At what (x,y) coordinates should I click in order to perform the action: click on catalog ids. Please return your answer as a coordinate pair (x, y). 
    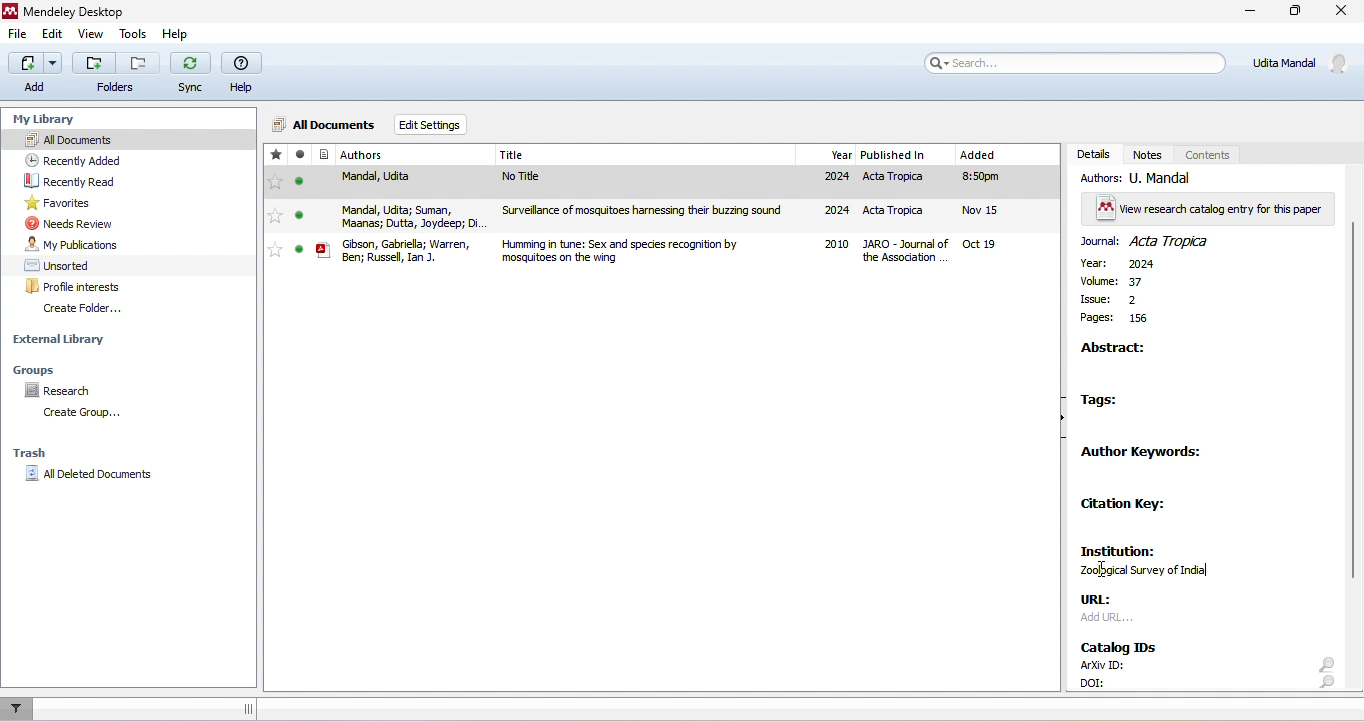
    Looking at the image, I should click on (1122, 644).